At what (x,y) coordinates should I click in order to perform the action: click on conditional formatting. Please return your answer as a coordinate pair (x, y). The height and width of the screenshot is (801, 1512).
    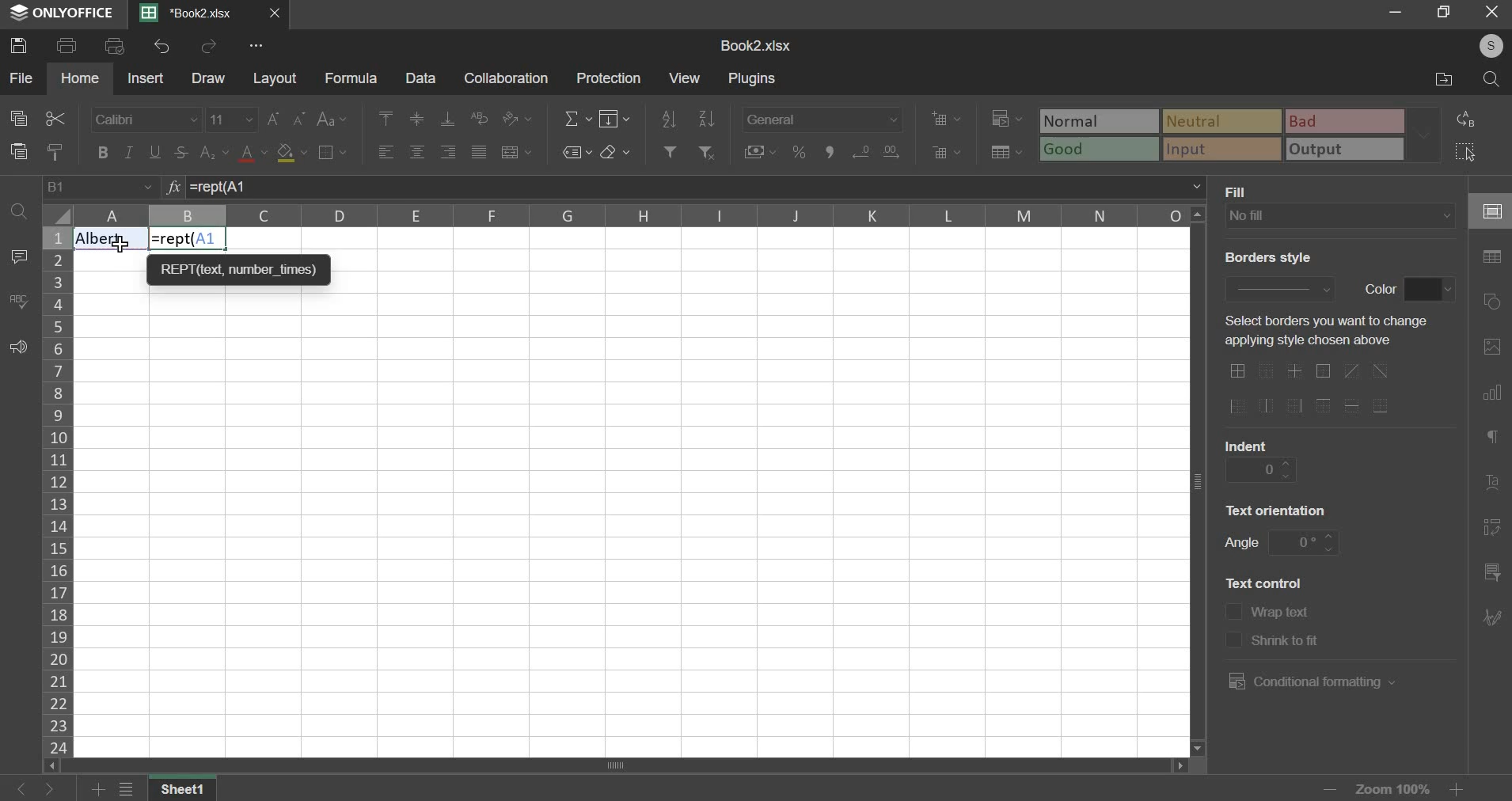
    Looking at the image, I should click on (1316, 682).